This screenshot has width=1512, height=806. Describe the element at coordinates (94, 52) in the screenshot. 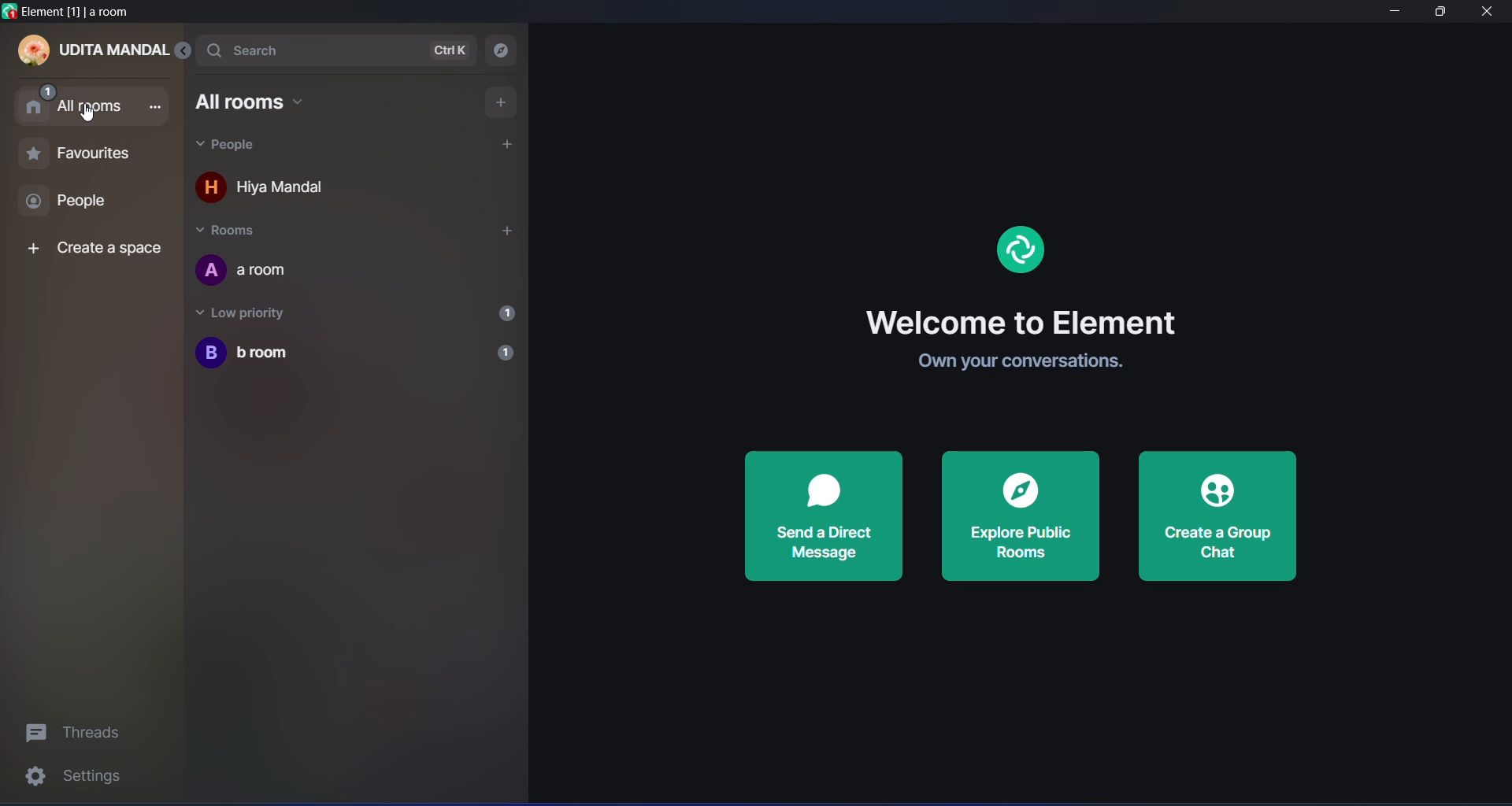

I see `UDITA MANDAL` at that location.